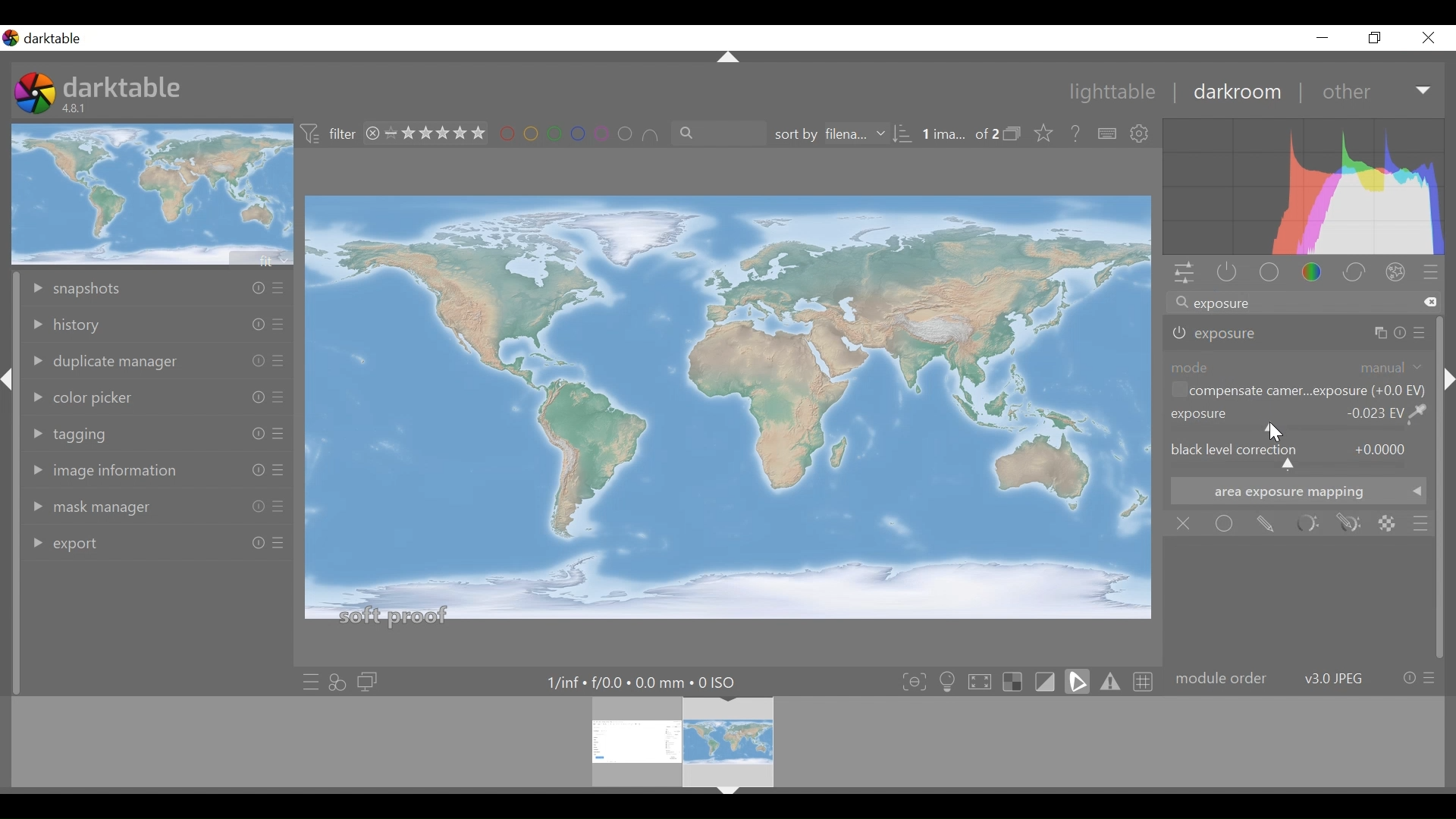 The image size is (1456, 819). I want to click on , so click(1385, 332).